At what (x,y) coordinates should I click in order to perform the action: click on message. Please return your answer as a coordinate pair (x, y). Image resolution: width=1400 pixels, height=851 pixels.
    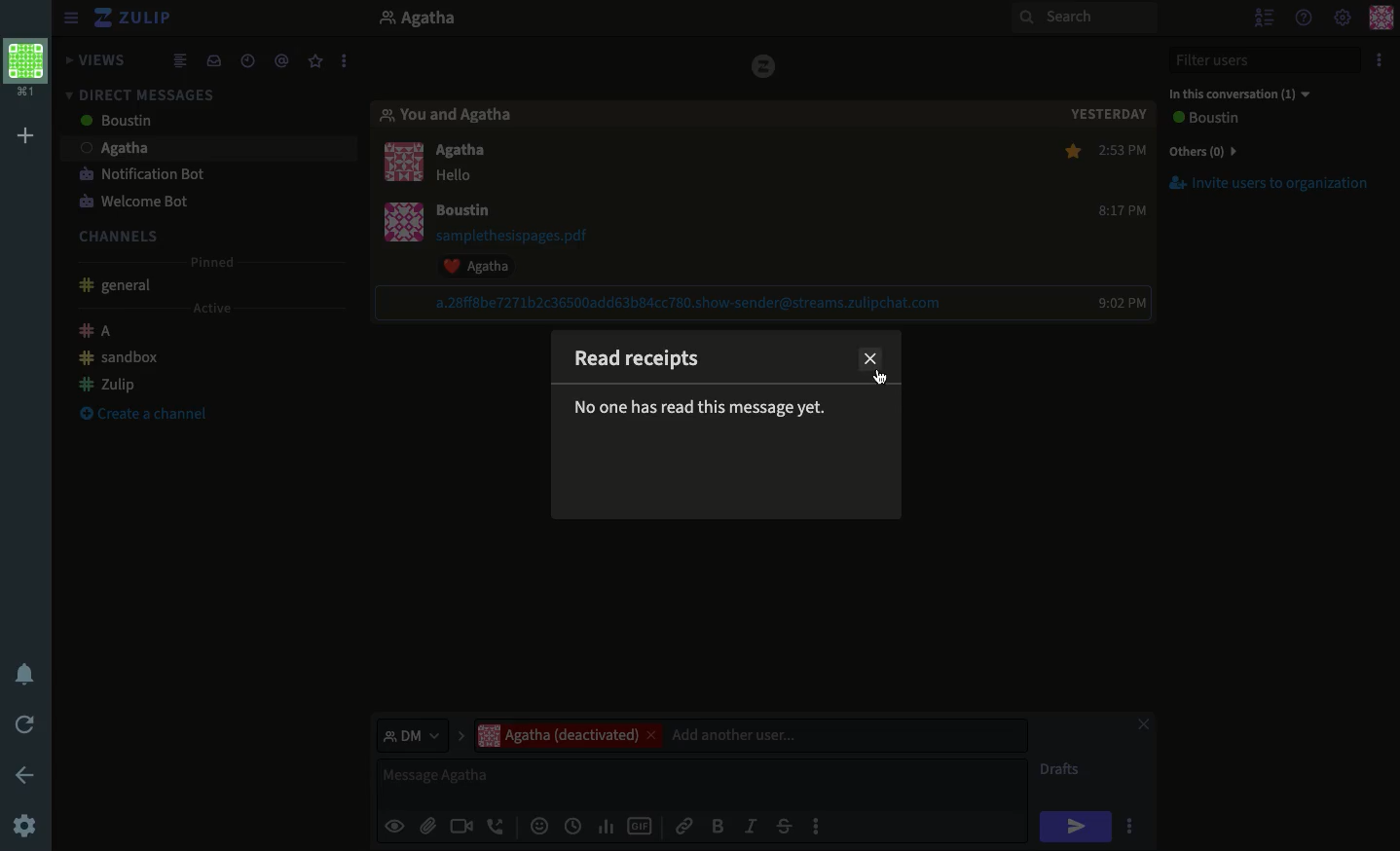
    Looking at the image, I should click on (460, 177).